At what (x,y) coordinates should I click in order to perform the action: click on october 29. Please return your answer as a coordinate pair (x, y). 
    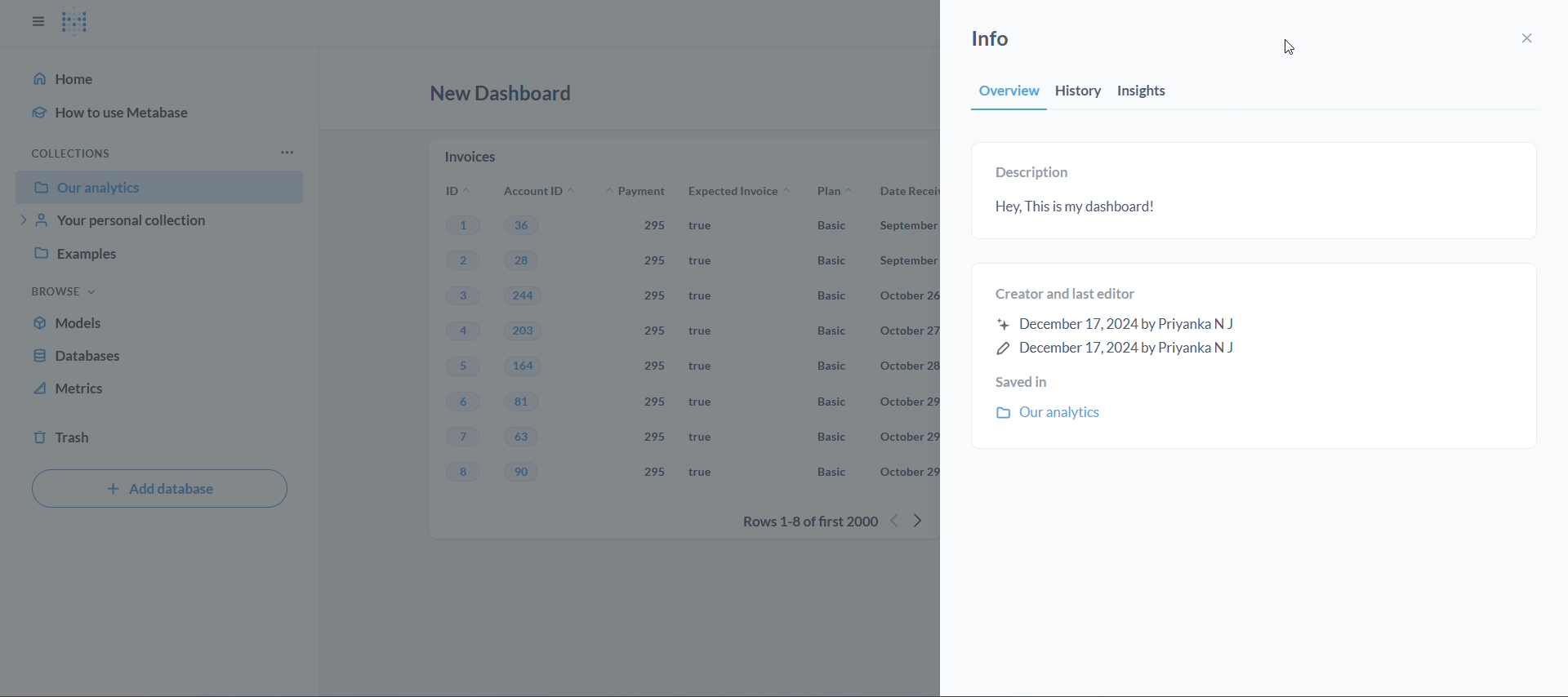
    Looking at the image, I should click on (907, 402).